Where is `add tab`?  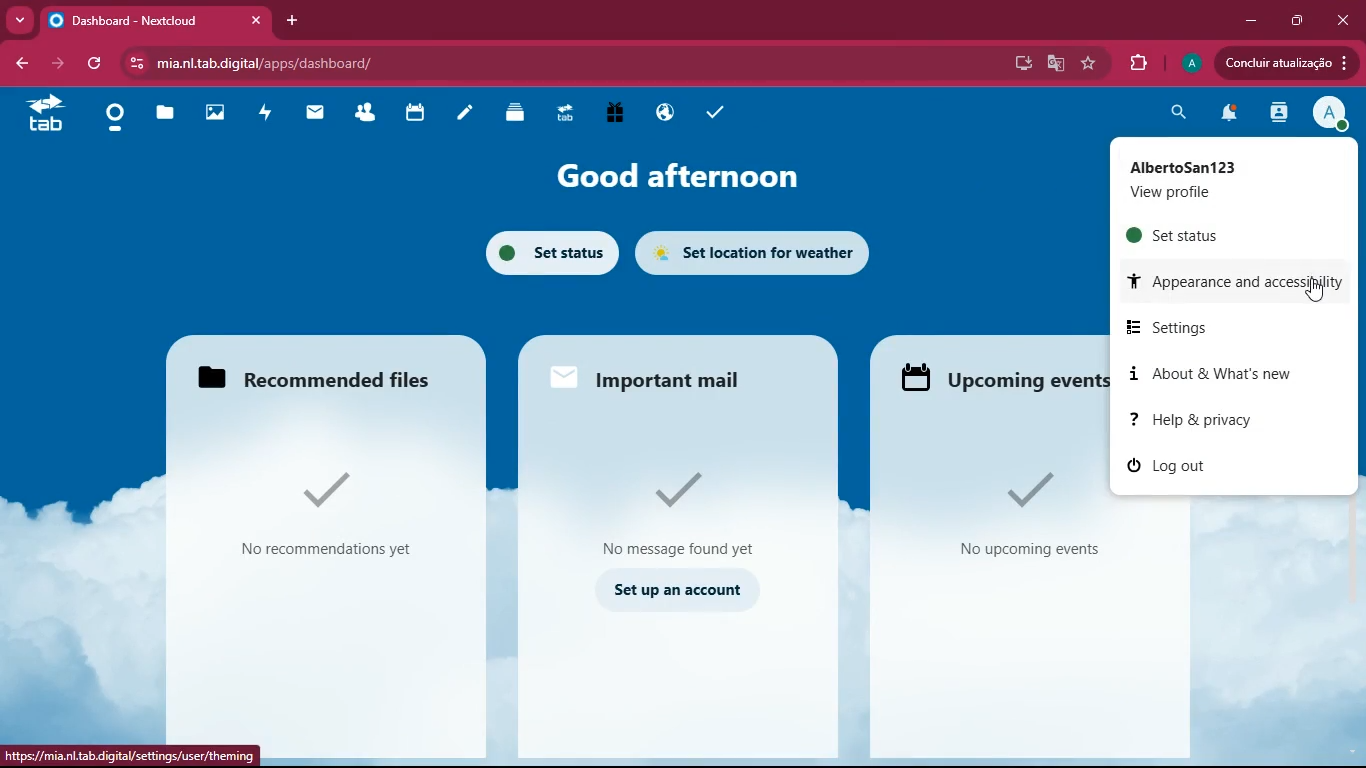
add tab is located at coordinates (294, 22).